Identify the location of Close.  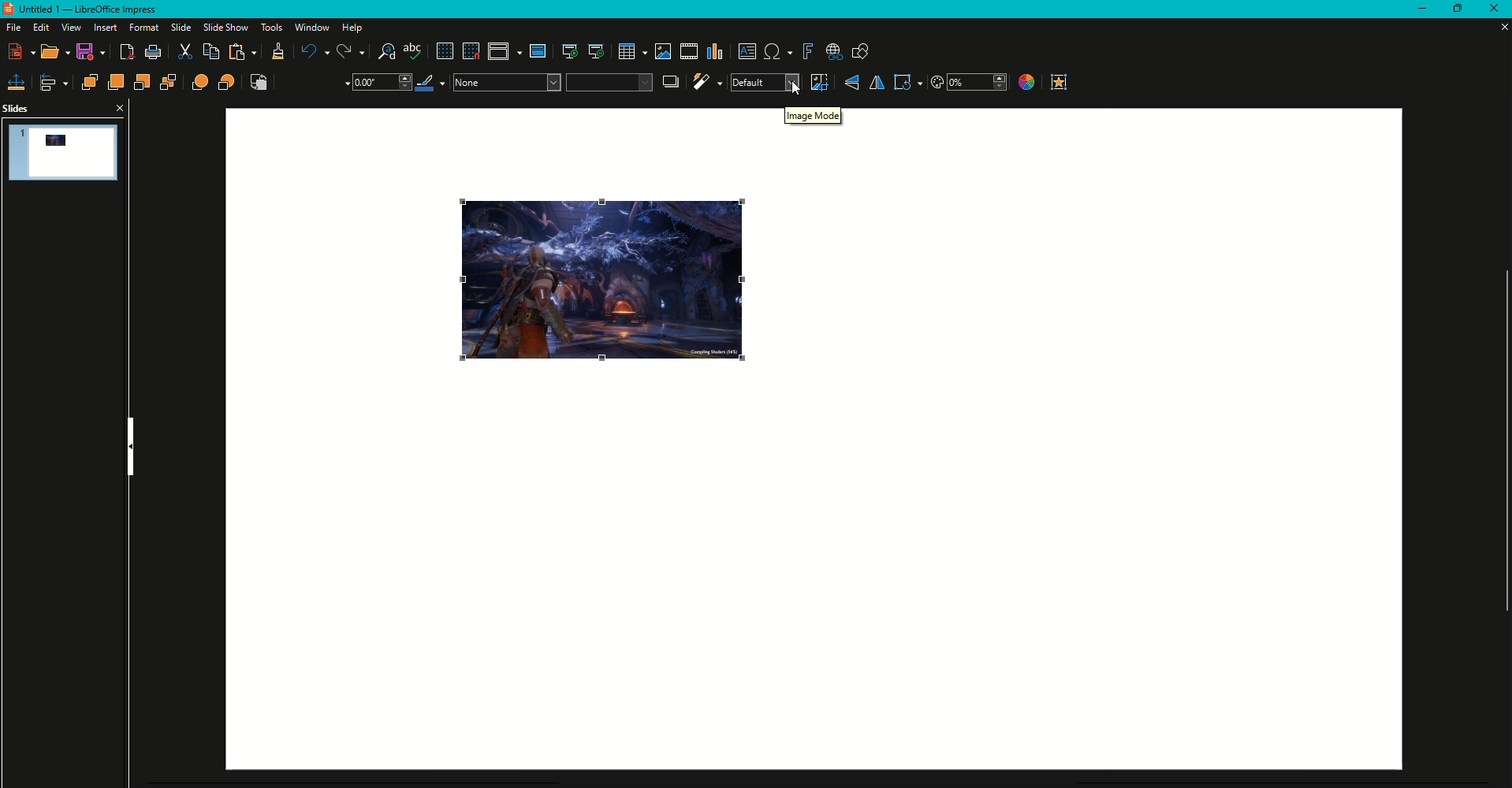
(118, 107).